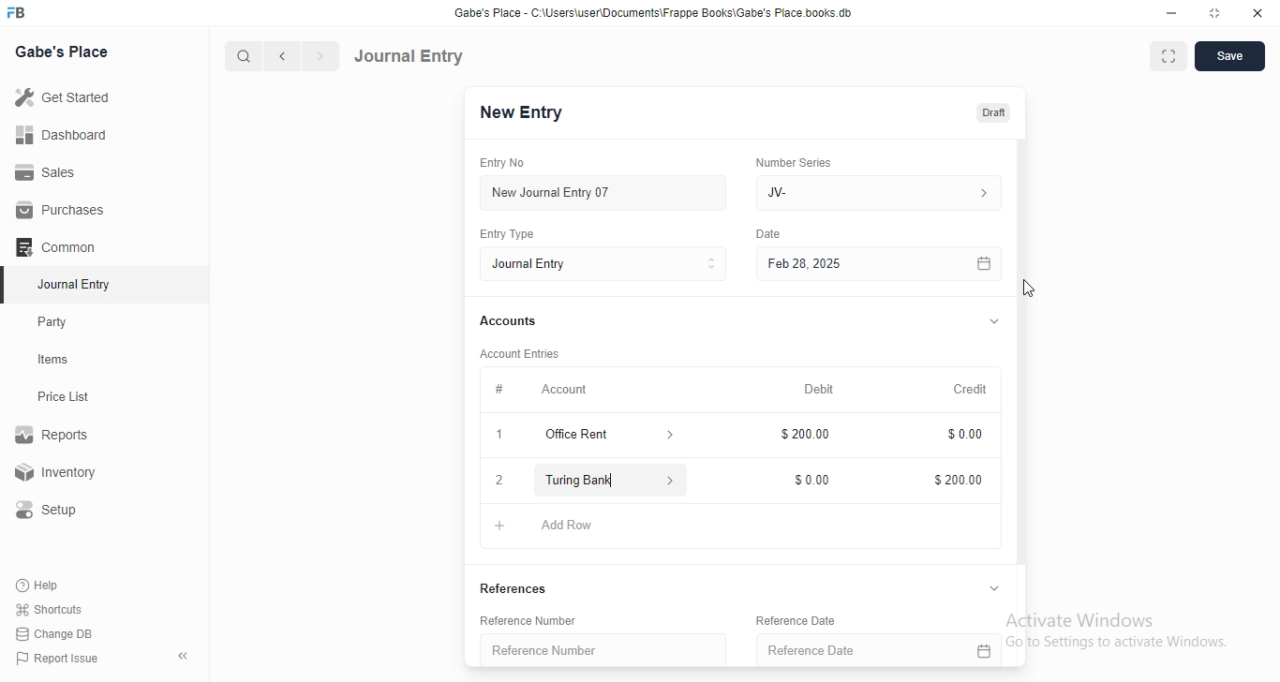 This screenshot has height=682, width=1280. I want to click on restore, so click(1218, 13).